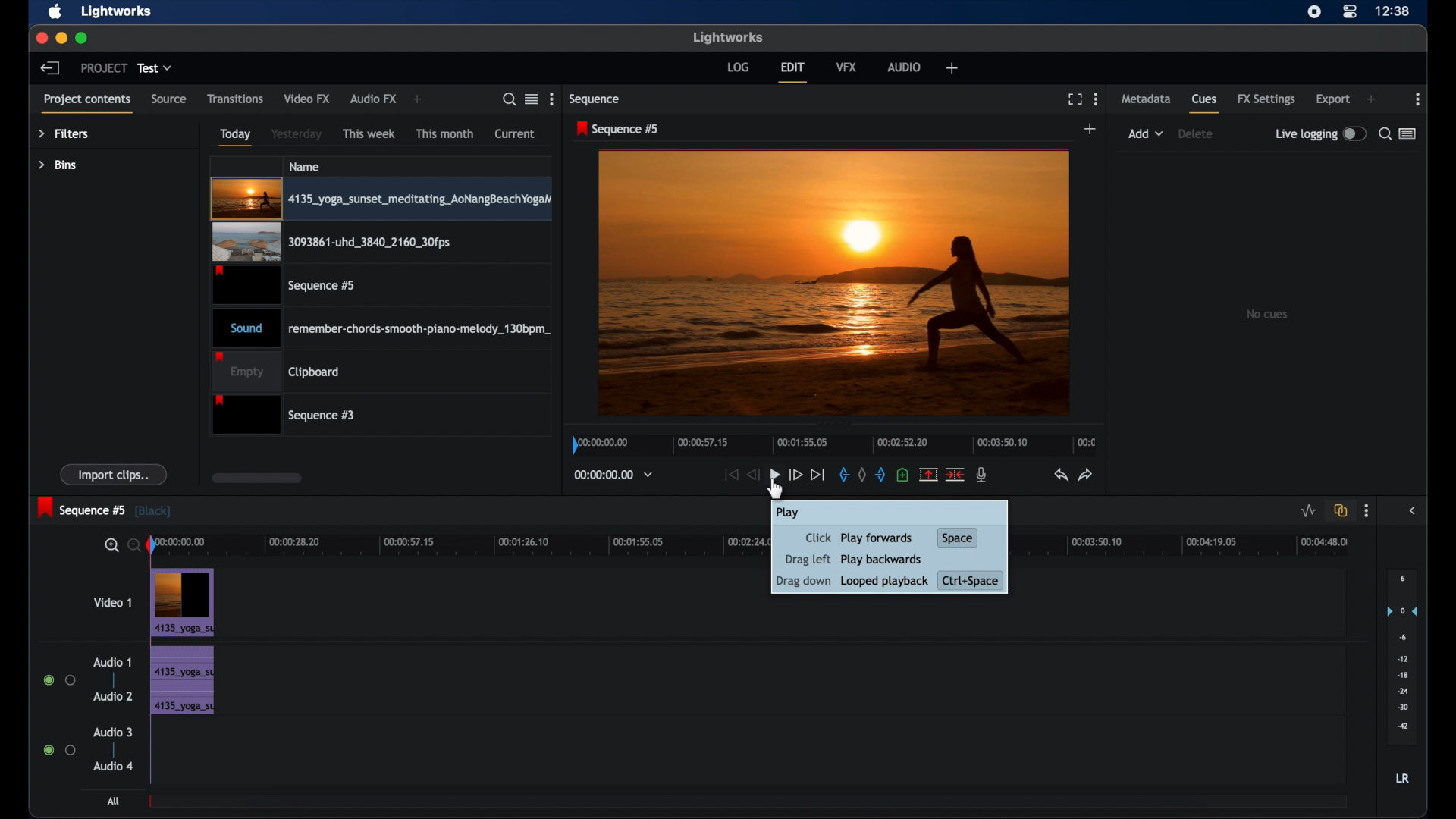 This screenshot has height=819, width=1456. What do you see at coordinates (118, 11) in the screenshot?
I see `lightworks` at bounding box center [118, 11].